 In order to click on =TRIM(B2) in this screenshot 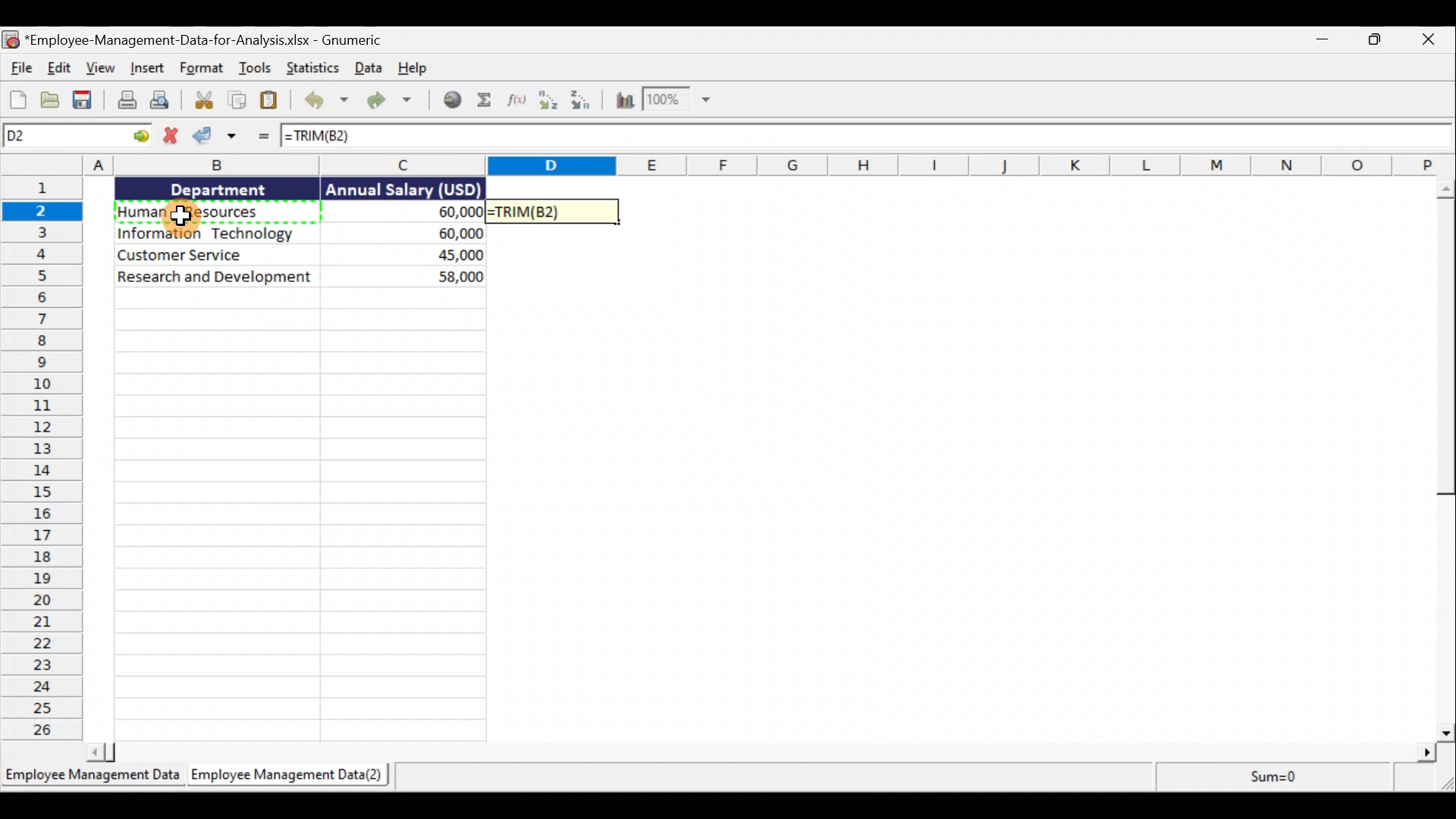, I will do `click(556, 212)`.